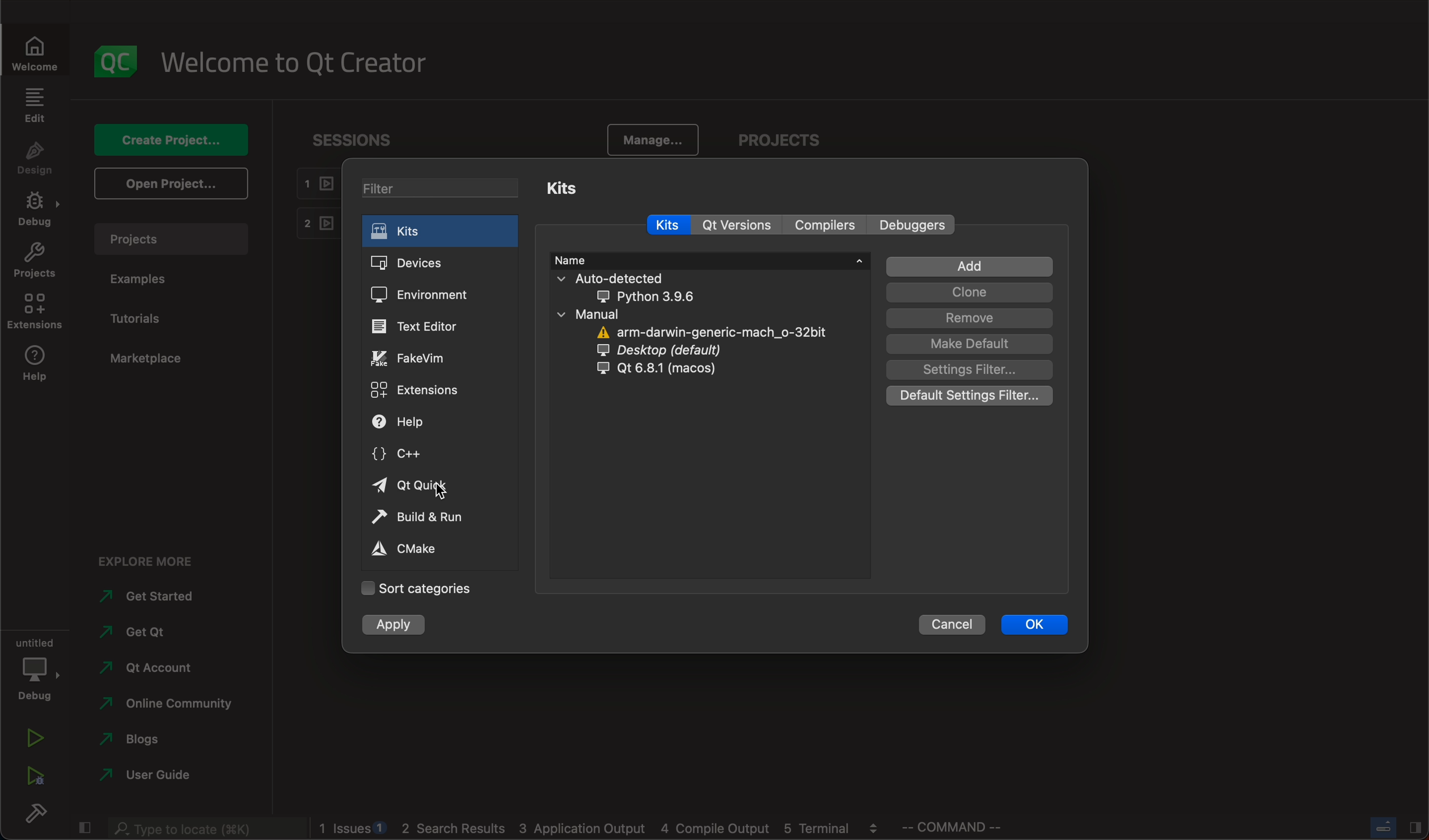 Image resolution: width=1429 pixels, height=840 pixels. What do you see at coordinates (415, 485) in the screenshot?
I see `qt quick` at bounding box center [415, 485].